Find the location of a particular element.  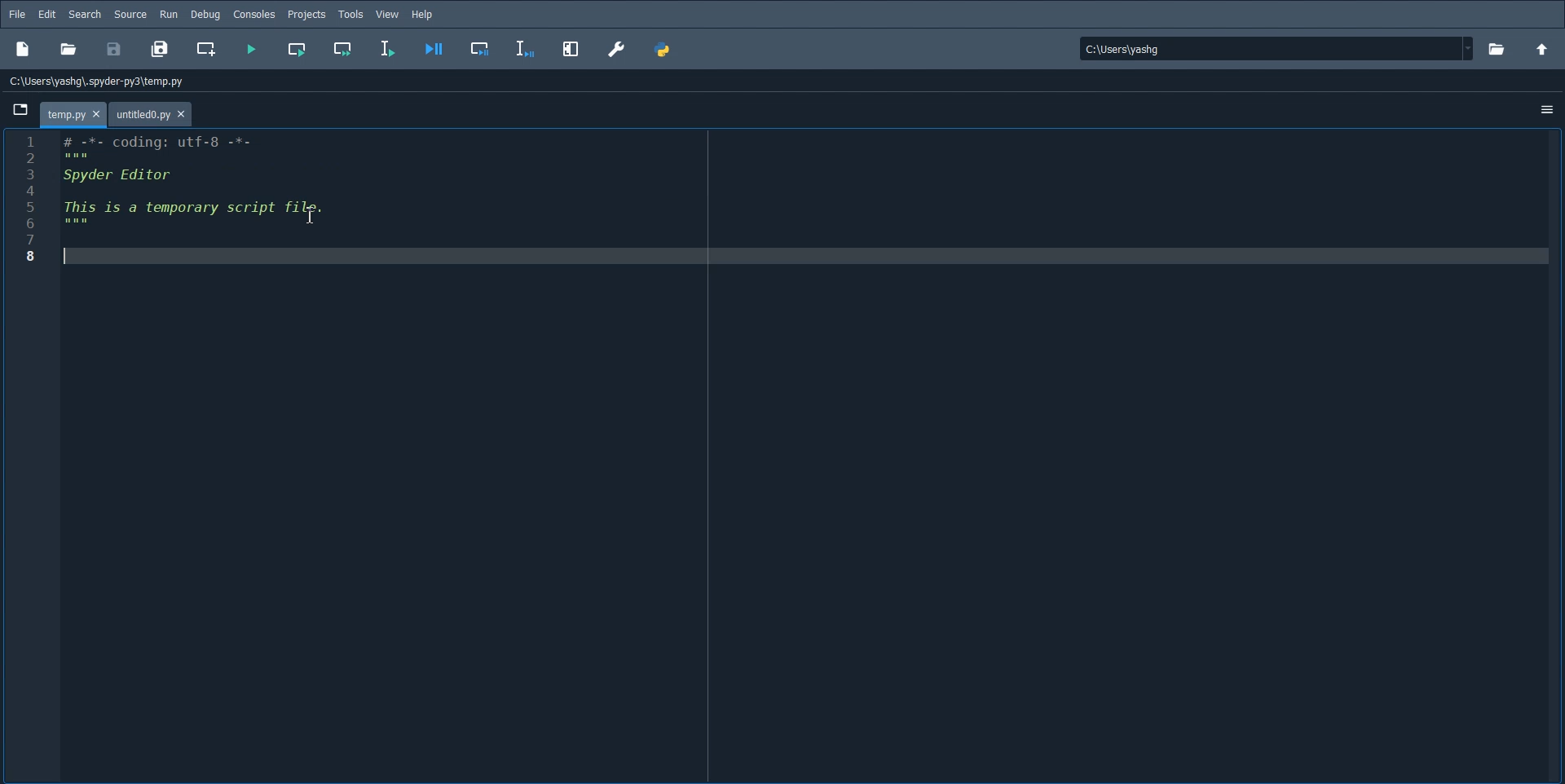

Change the parent directory is located at coordinates (1544, 47).